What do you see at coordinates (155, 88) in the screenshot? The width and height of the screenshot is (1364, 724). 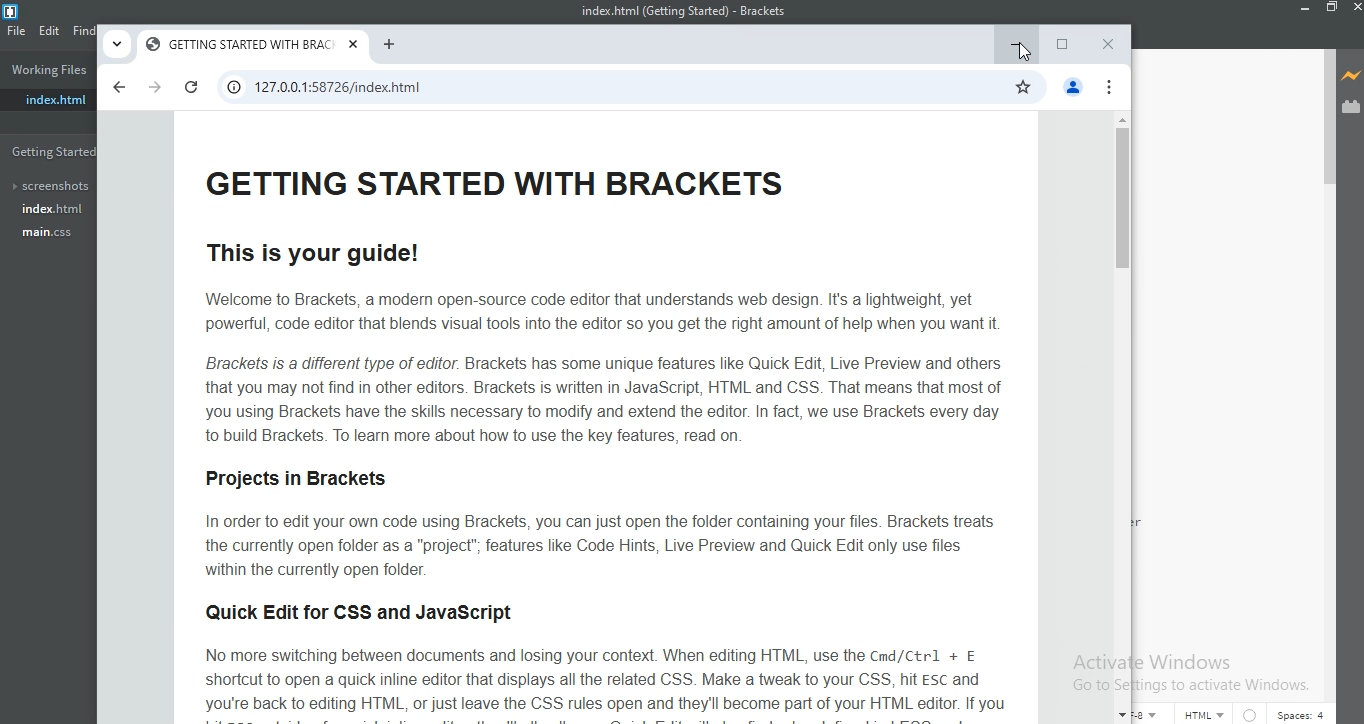 I see `next page` at bounding box center [155, 88].